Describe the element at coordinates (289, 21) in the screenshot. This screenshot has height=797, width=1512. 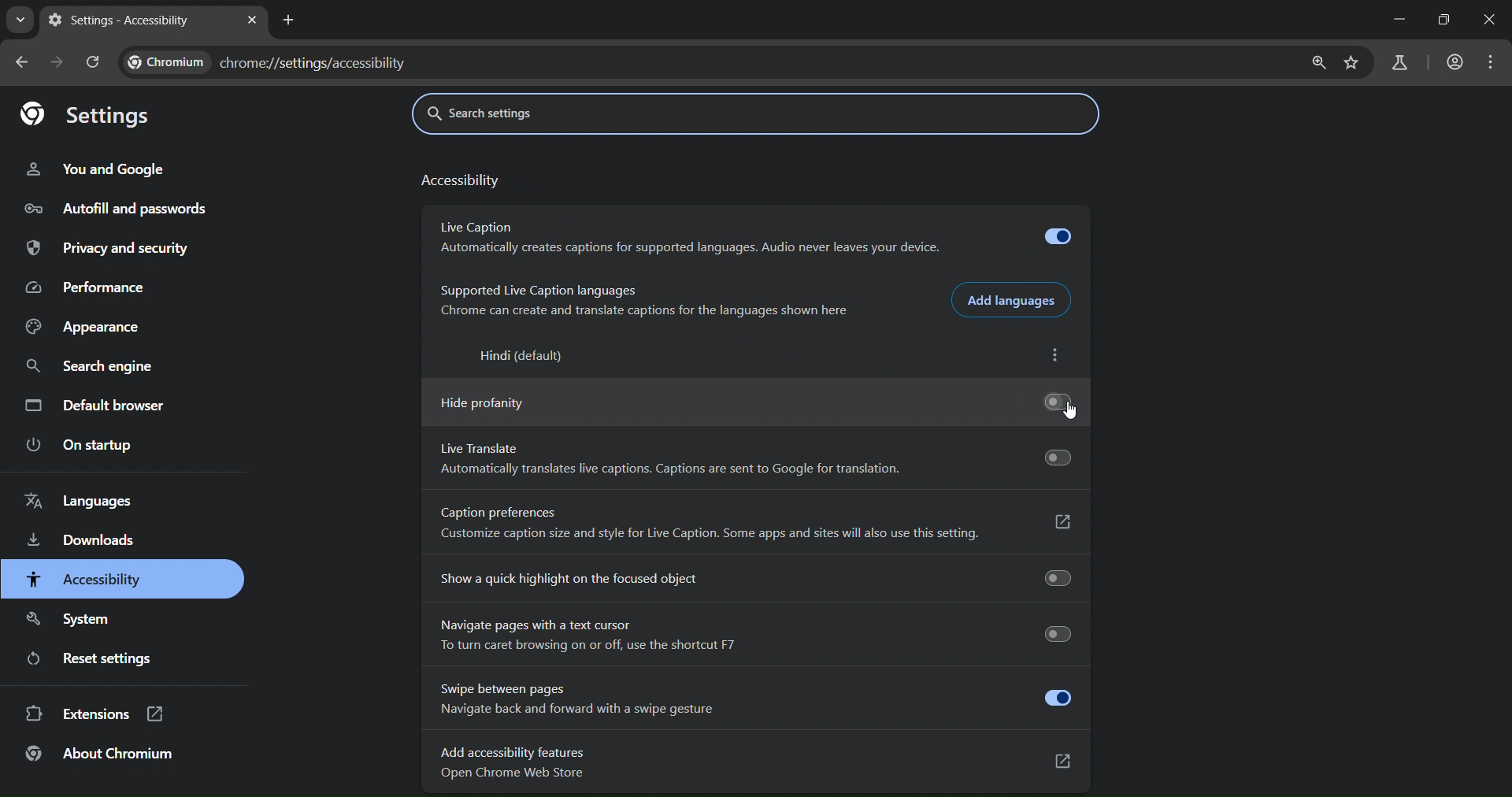
I see `new tab` at that location.